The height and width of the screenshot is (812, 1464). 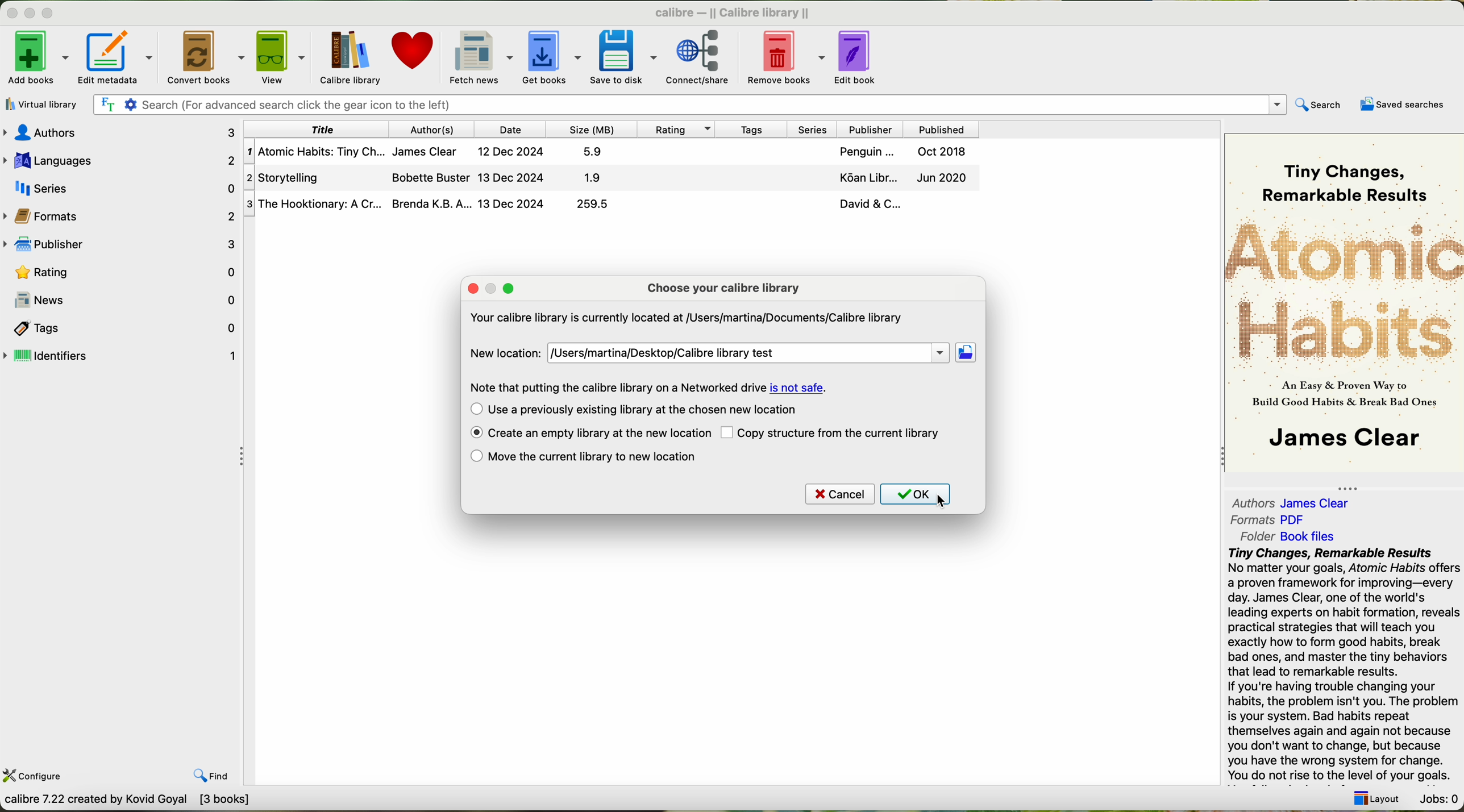 What do you see at coordinates (1343, 440) in the screenshot?
I see `James Clear` at bounding box center [1343, 440].